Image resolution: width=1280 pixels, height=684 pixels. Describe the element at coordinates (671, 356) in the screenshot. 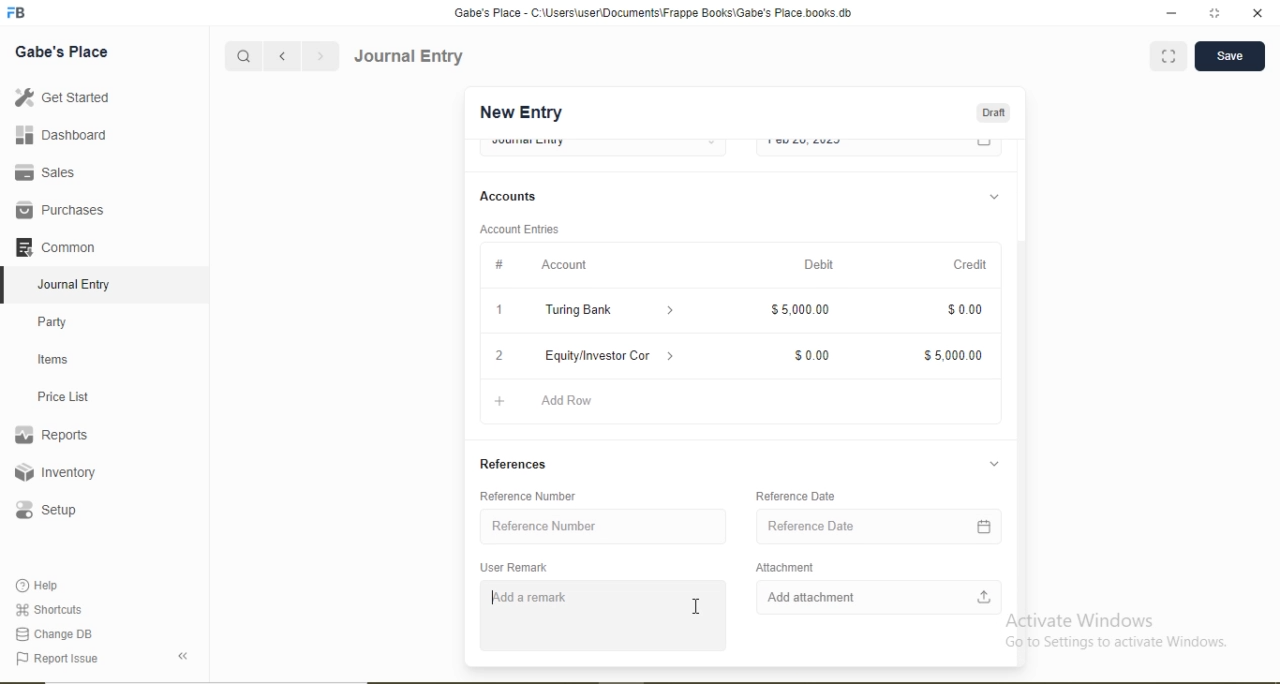

I see `Dropdown` at that location.